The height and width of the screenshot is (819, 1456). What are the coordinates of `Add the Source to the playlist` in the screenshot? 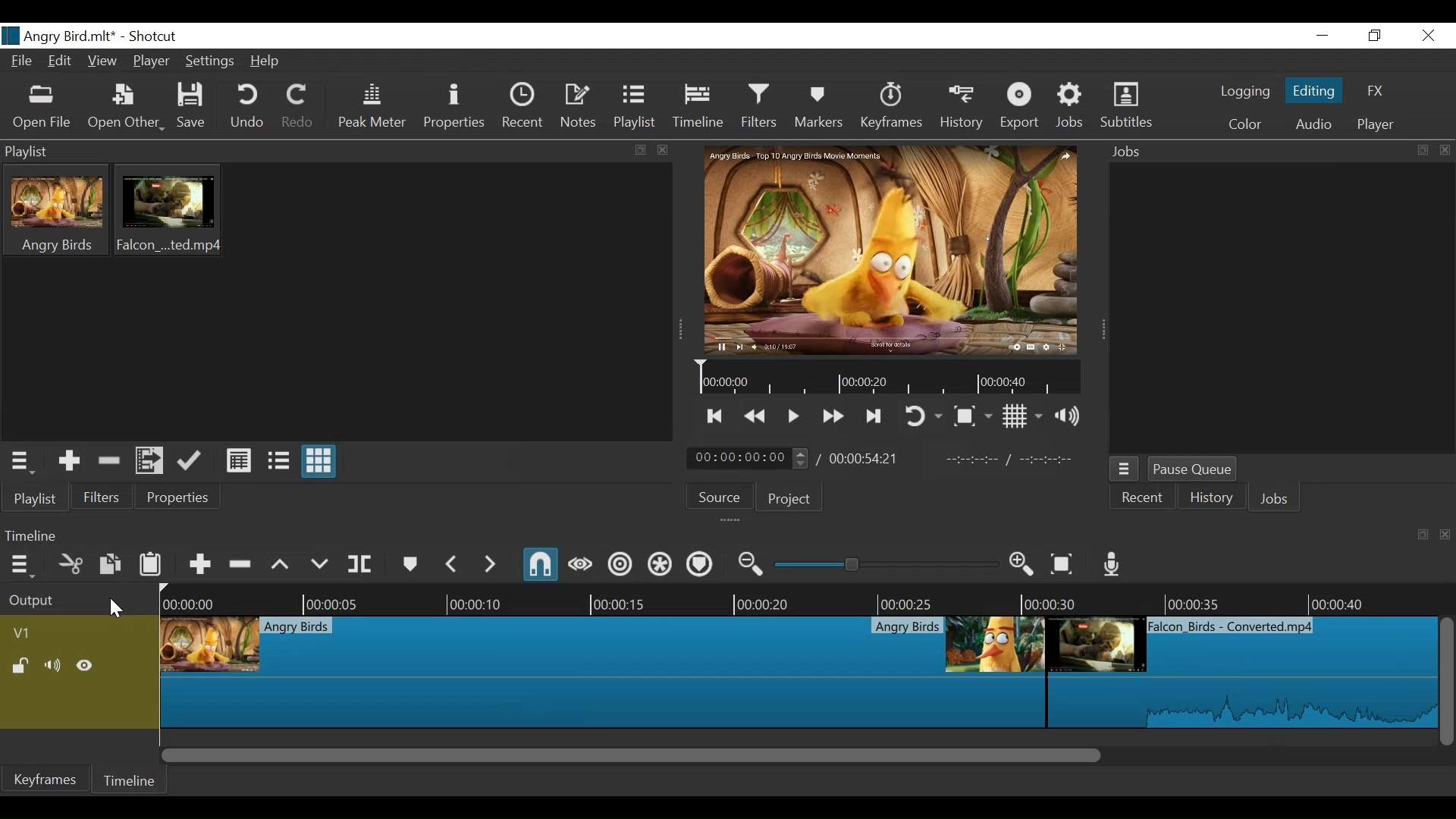 It's located at (67, 461).